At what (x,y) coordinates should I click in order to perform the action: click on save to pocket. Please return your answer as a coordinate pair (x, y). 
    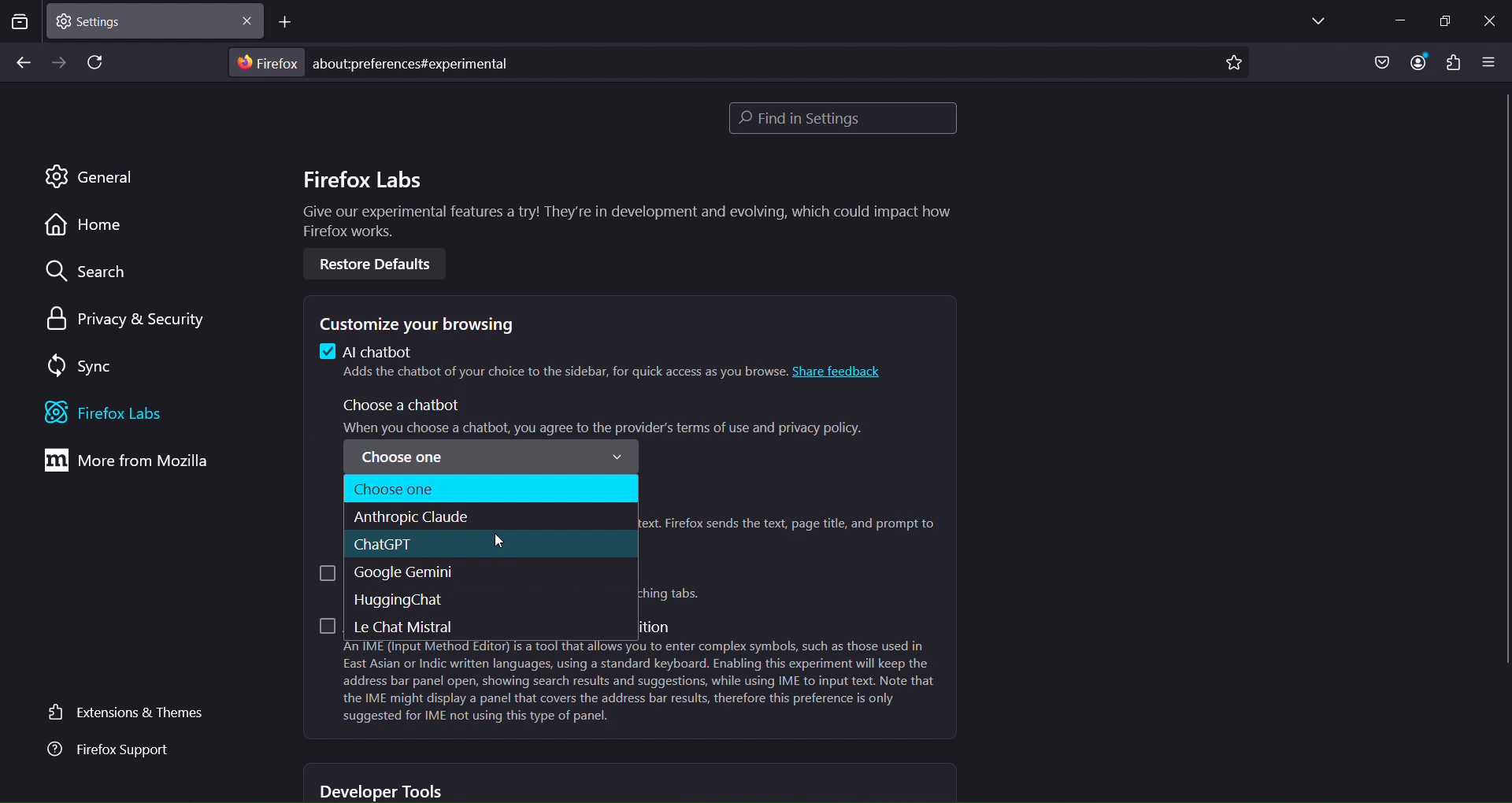
    Looking at the image, I should click on (1378, 62).